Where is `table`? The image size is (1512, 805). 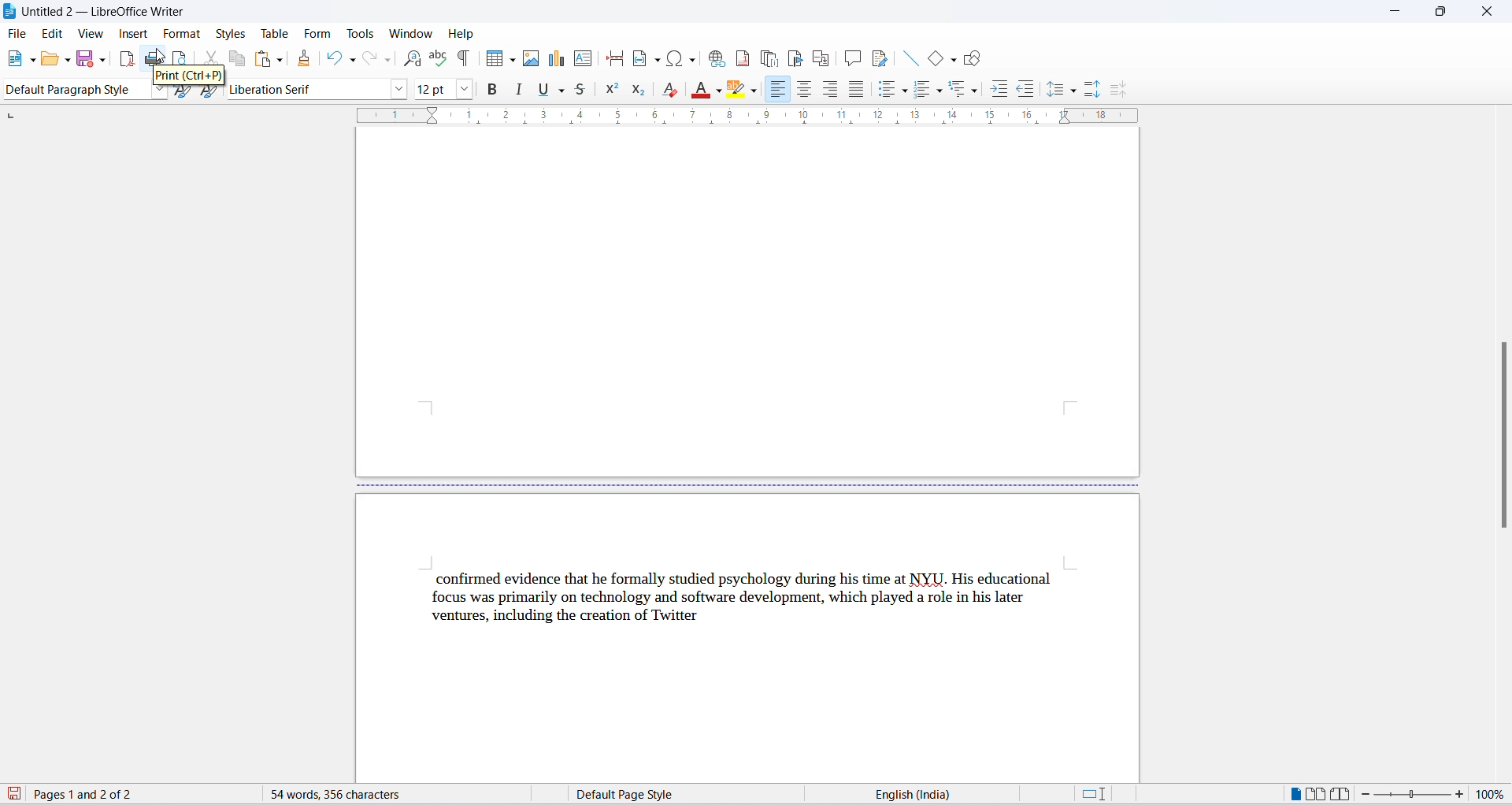
table is located at coordinates (277, 32).